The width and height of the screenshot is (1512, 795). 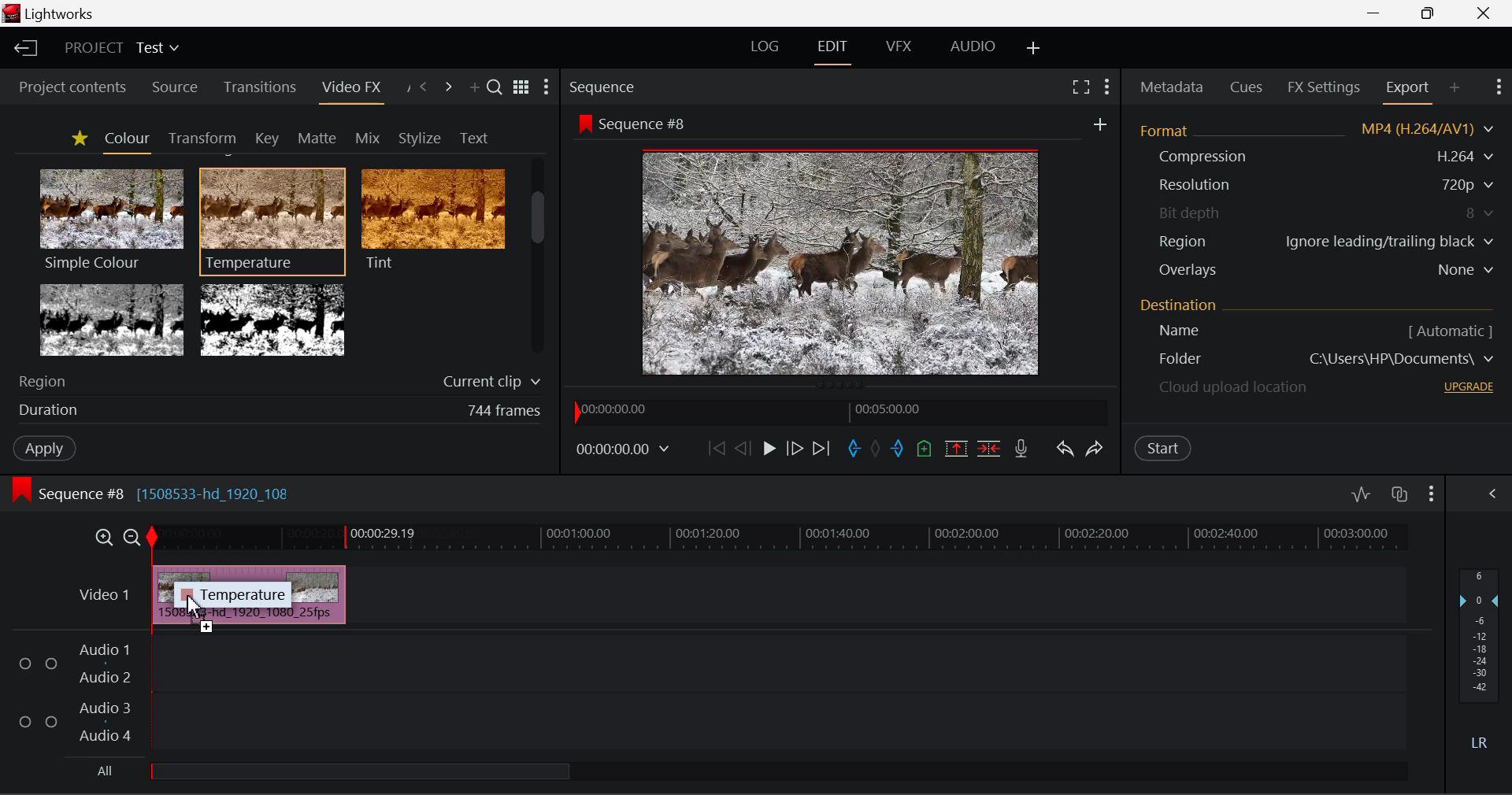 I want to click on Timeline Track, so click(x=781, y=538).